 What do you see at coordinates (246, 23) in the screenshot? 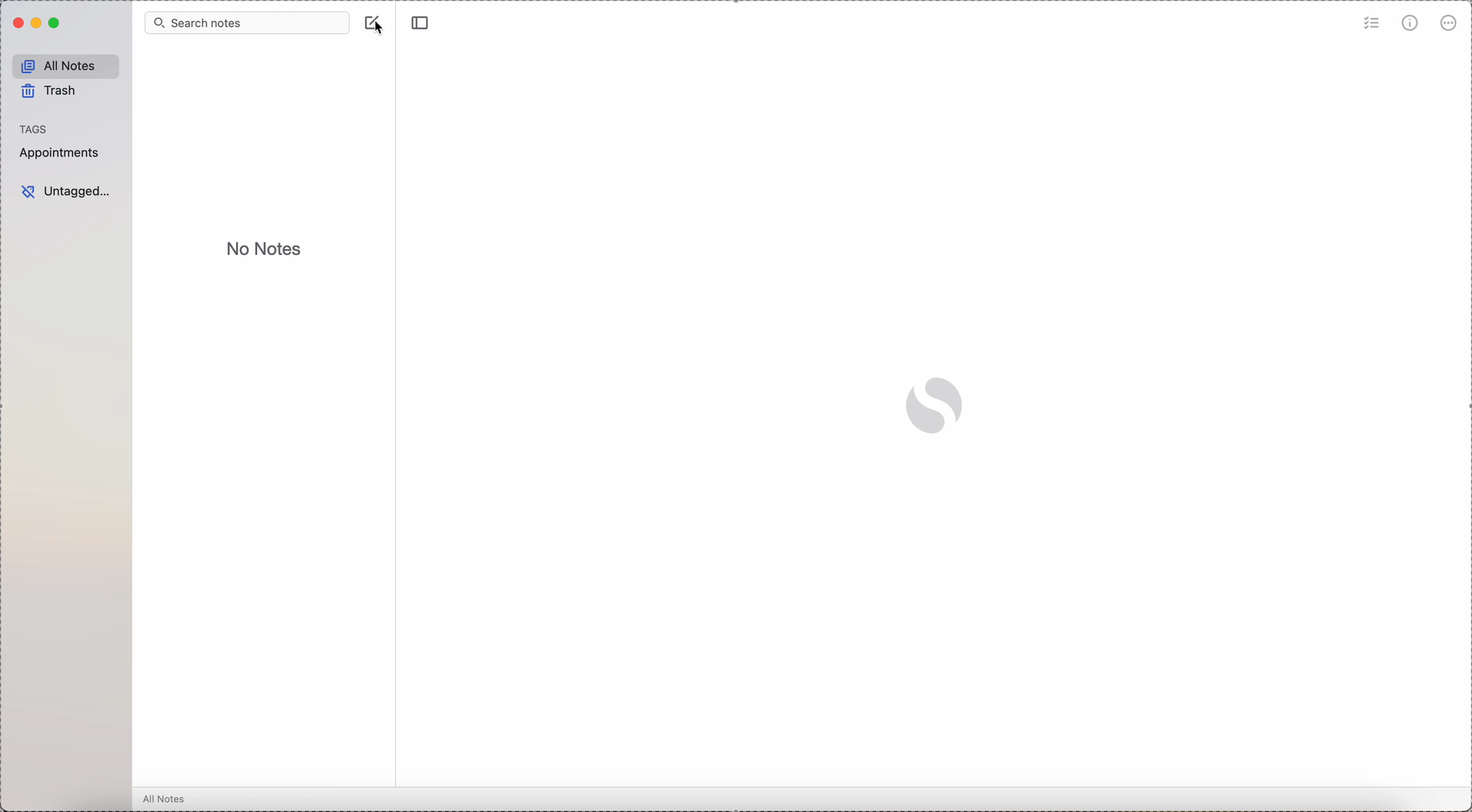
I see `search bar` at bounding box center [246, 23].